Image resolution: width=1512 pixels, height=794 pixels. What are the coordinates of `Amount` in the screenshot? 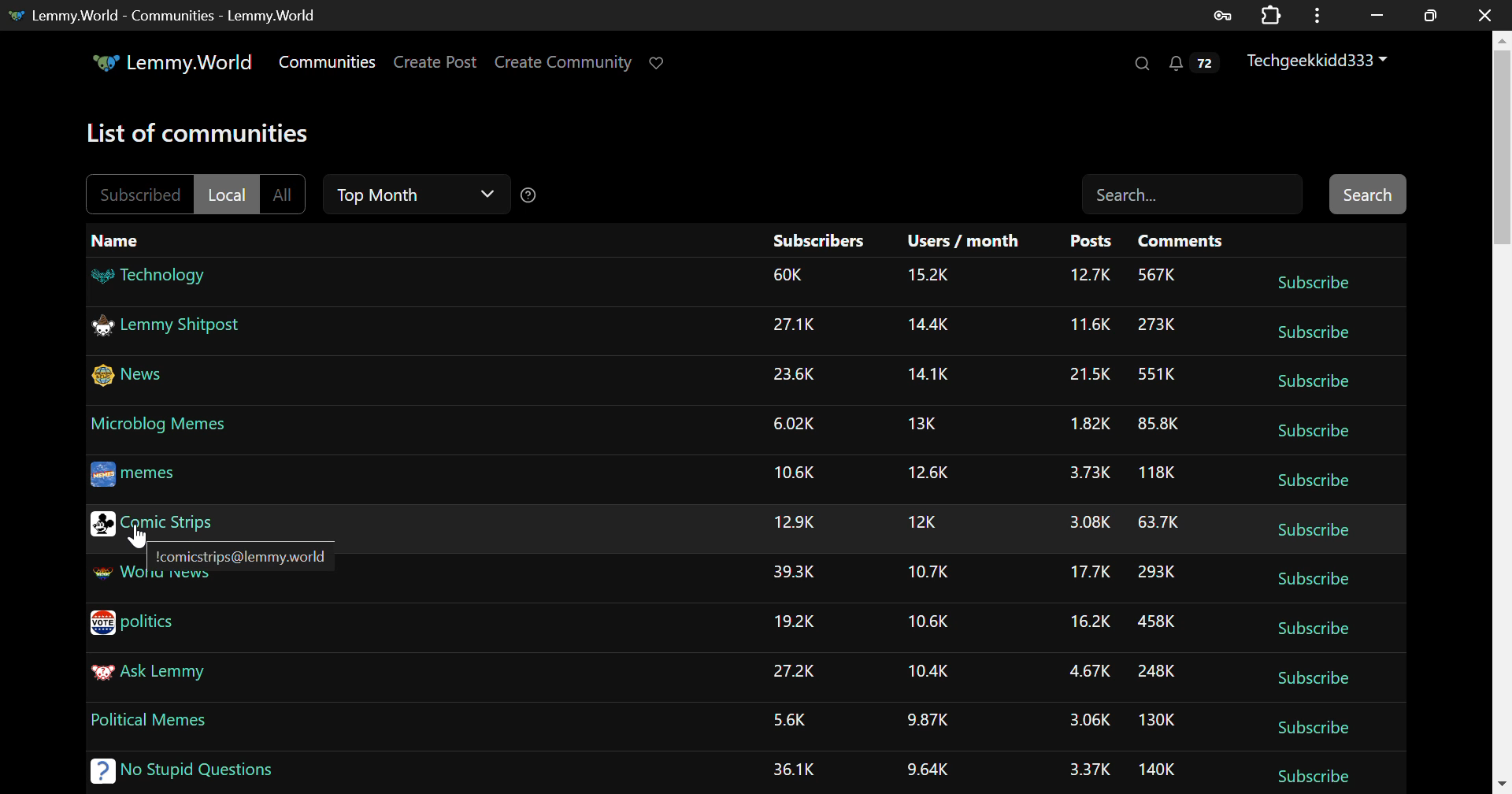 It's located at (1156, 773).